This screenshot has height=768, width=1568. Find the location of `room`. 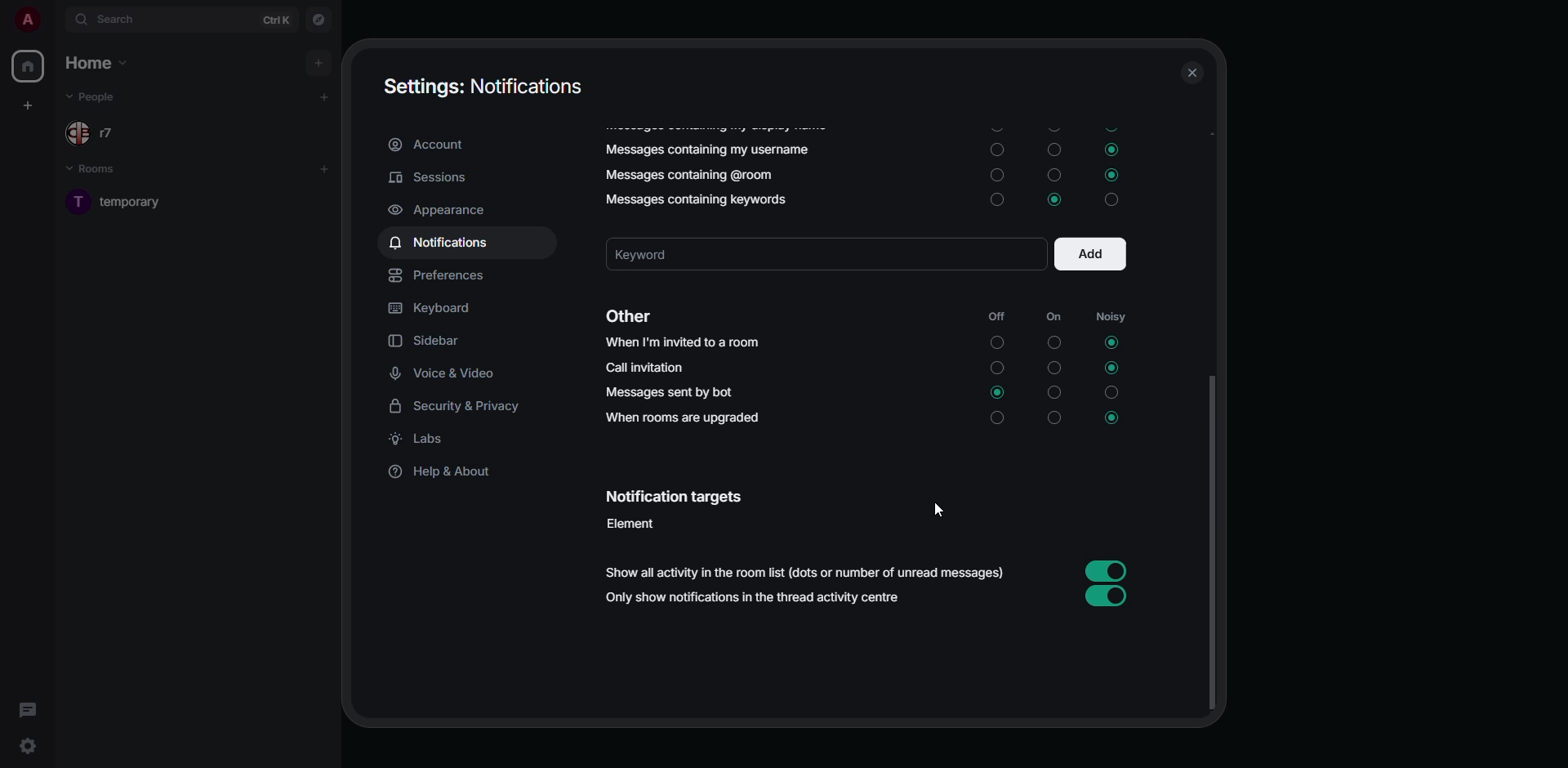

room is located at coordinates (133, 205).